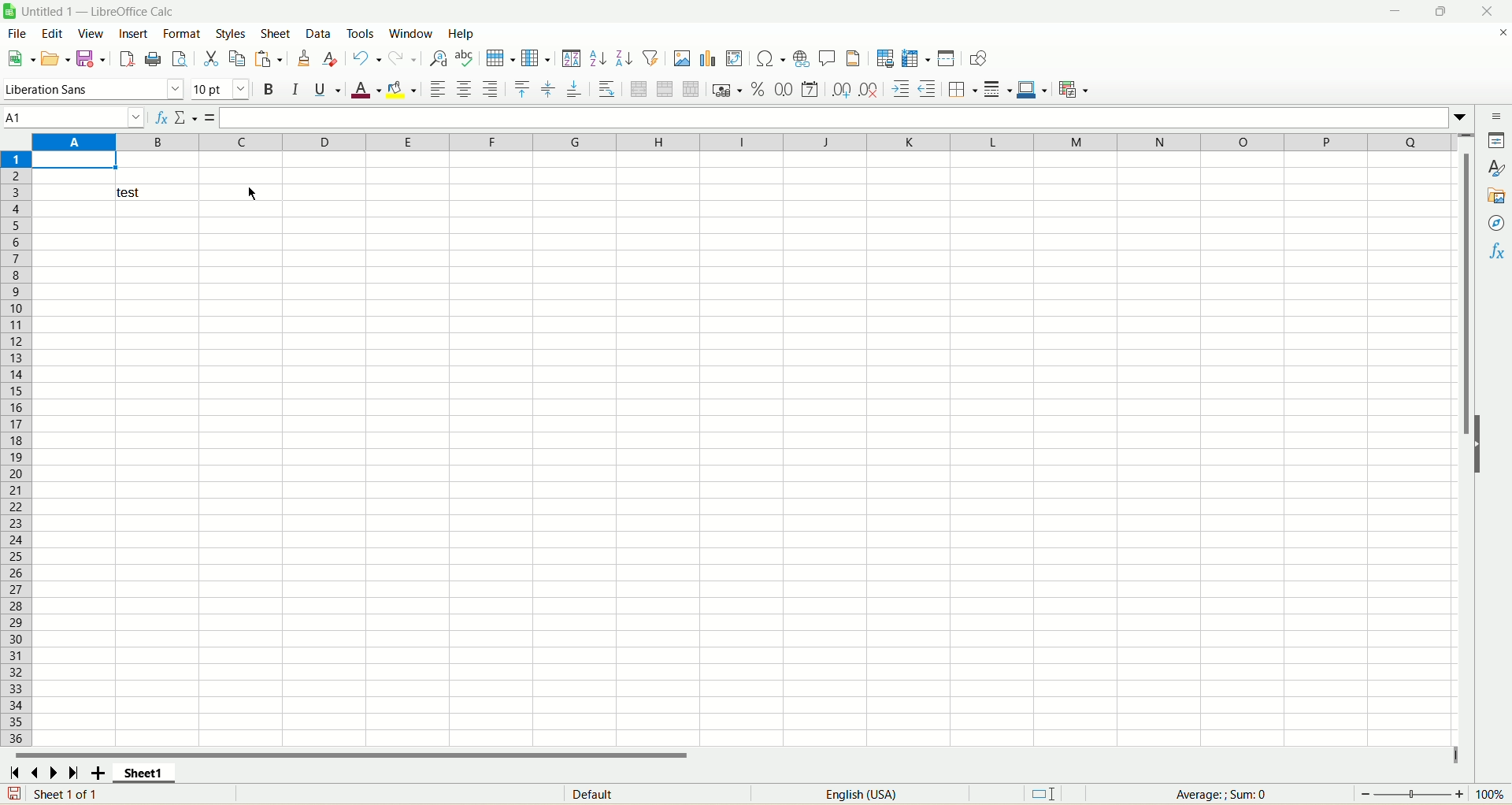 The height and width of the screenshot is (805, 1512). What do you see at coordinates (842, 90) in the screenshot?
I see `add decimal` at bounding box center [842, 90].